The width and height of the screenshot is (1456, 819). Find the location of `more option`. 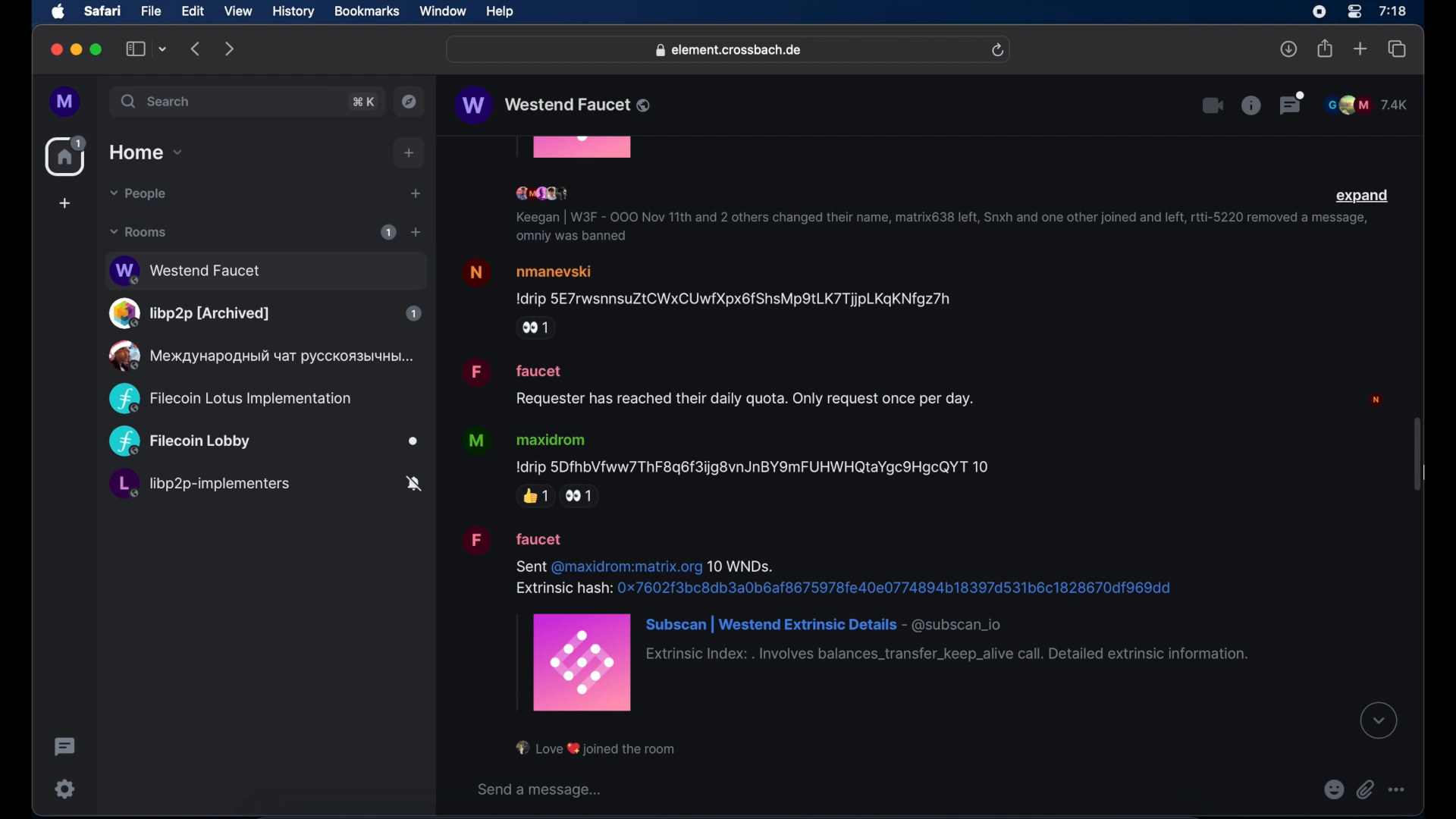

more option is located at coordinates (1398, 789).